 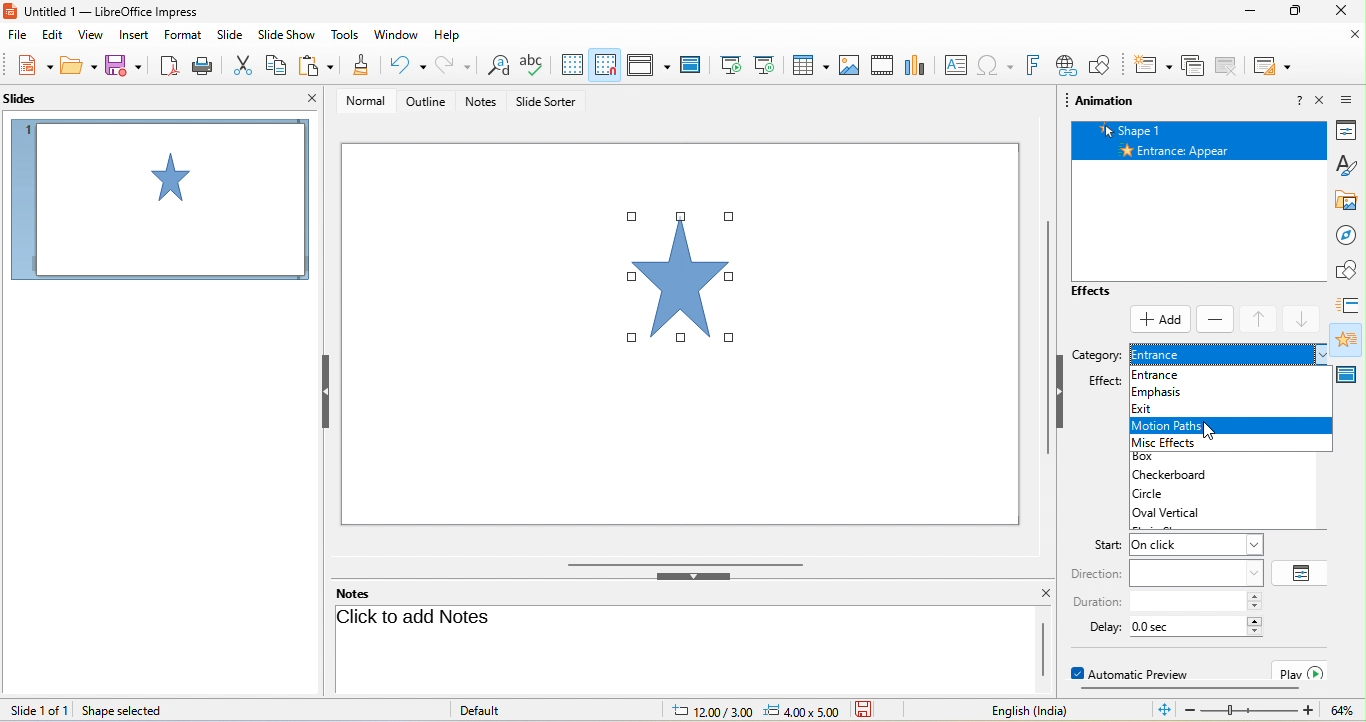 What do you see at coordinates (18, 36) in the screenshot?
I see `file` at bounding box center [18, 36].